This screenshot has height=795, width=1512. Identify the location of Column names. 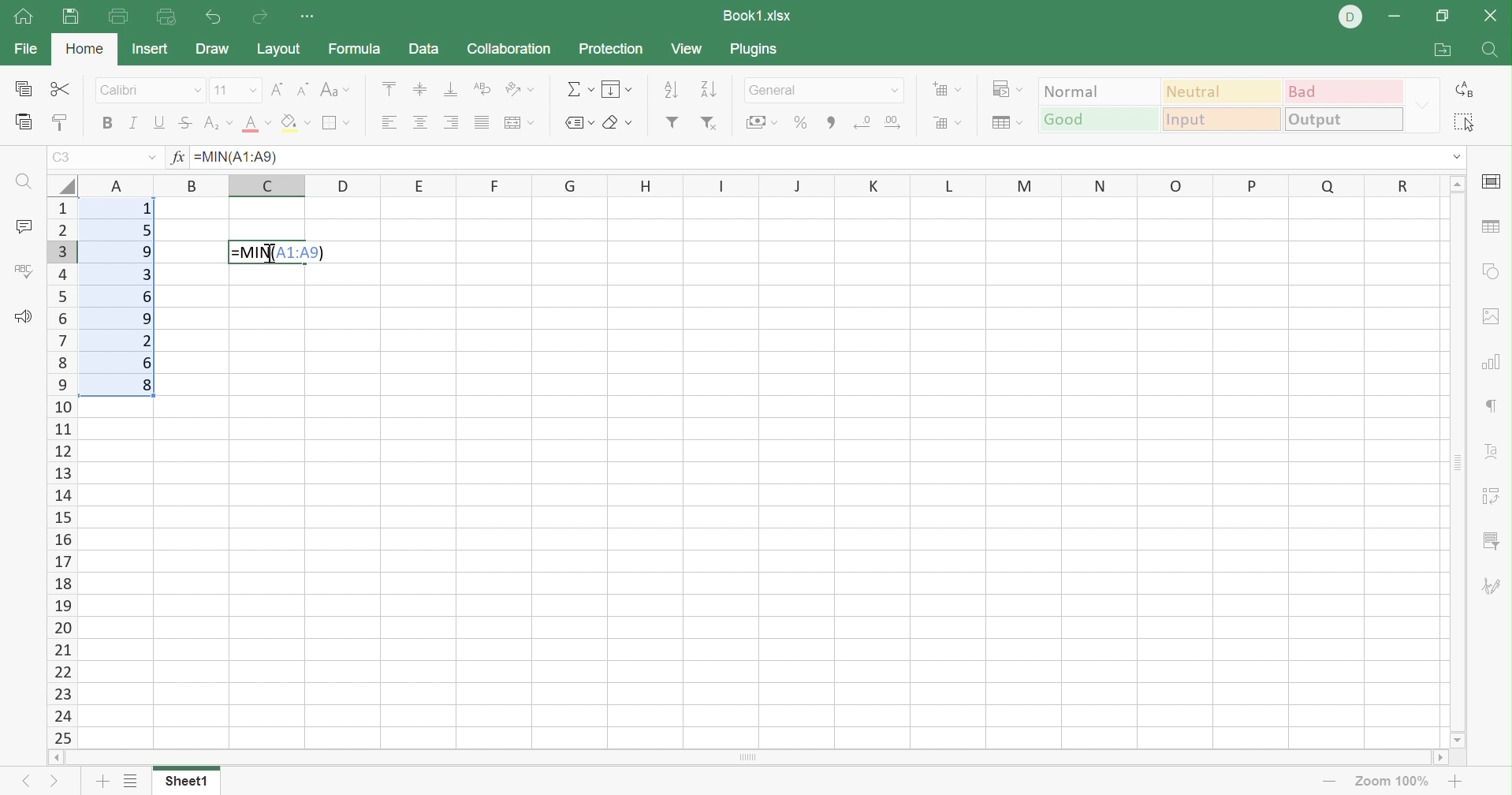
(759, 185).